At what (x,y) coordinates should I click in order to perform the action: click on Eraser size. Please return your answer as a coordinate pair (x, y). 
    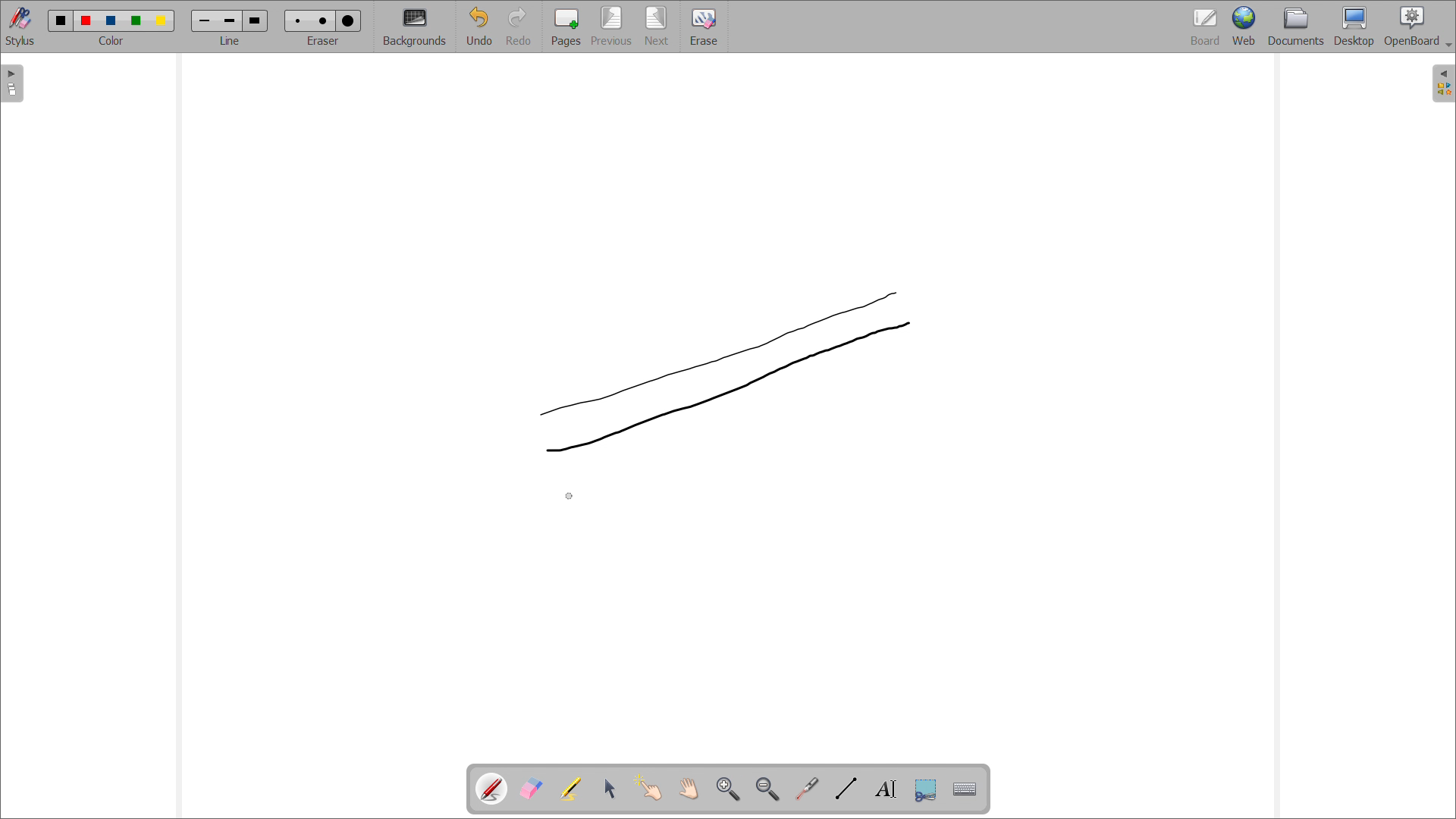
    Looking at the image, I should click on (323, 20).